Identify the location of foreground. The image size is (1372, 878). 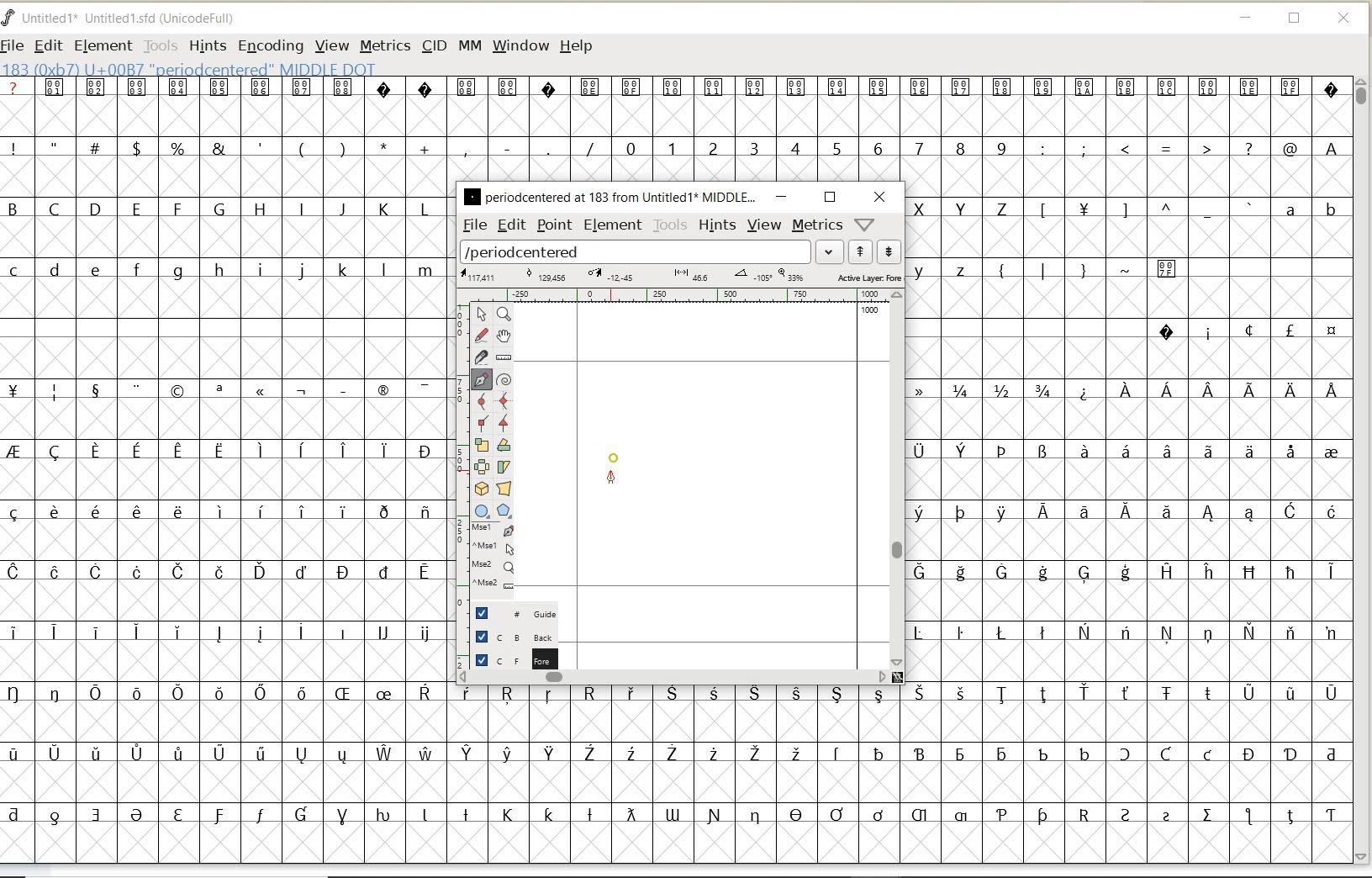
(510, 658).